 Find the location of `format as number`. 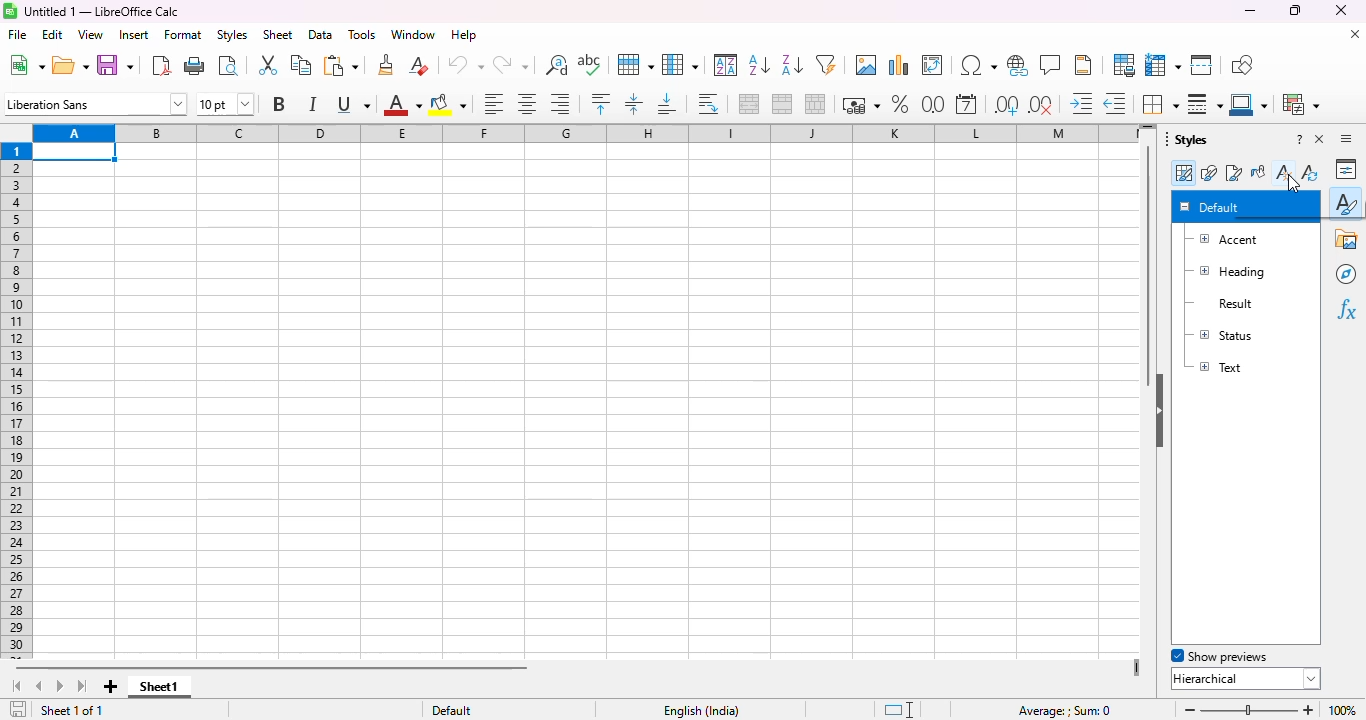

format as number is located at coordinates (934, 104).